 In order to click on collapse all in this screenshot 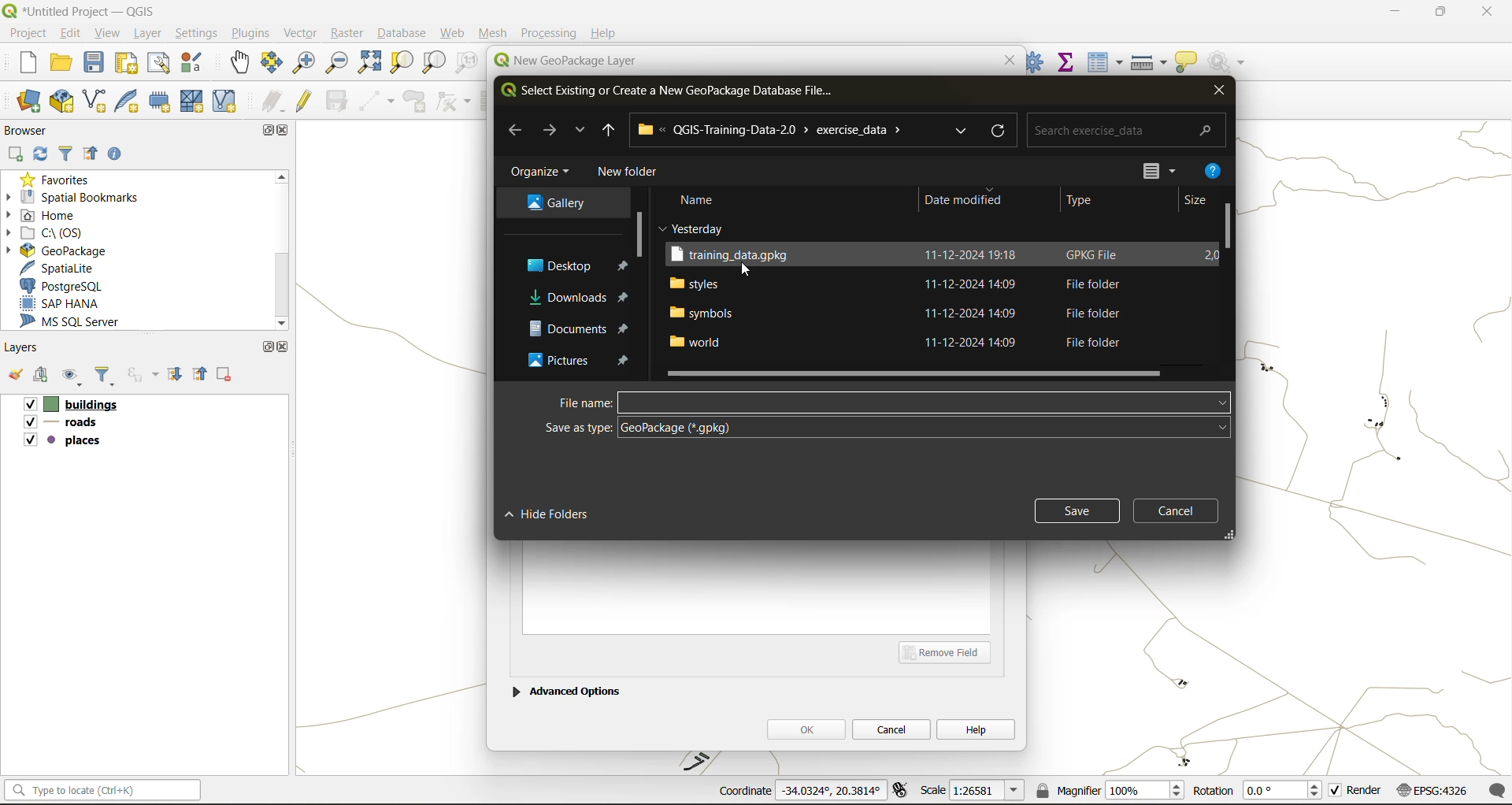, I will do `click(94, 154)`.